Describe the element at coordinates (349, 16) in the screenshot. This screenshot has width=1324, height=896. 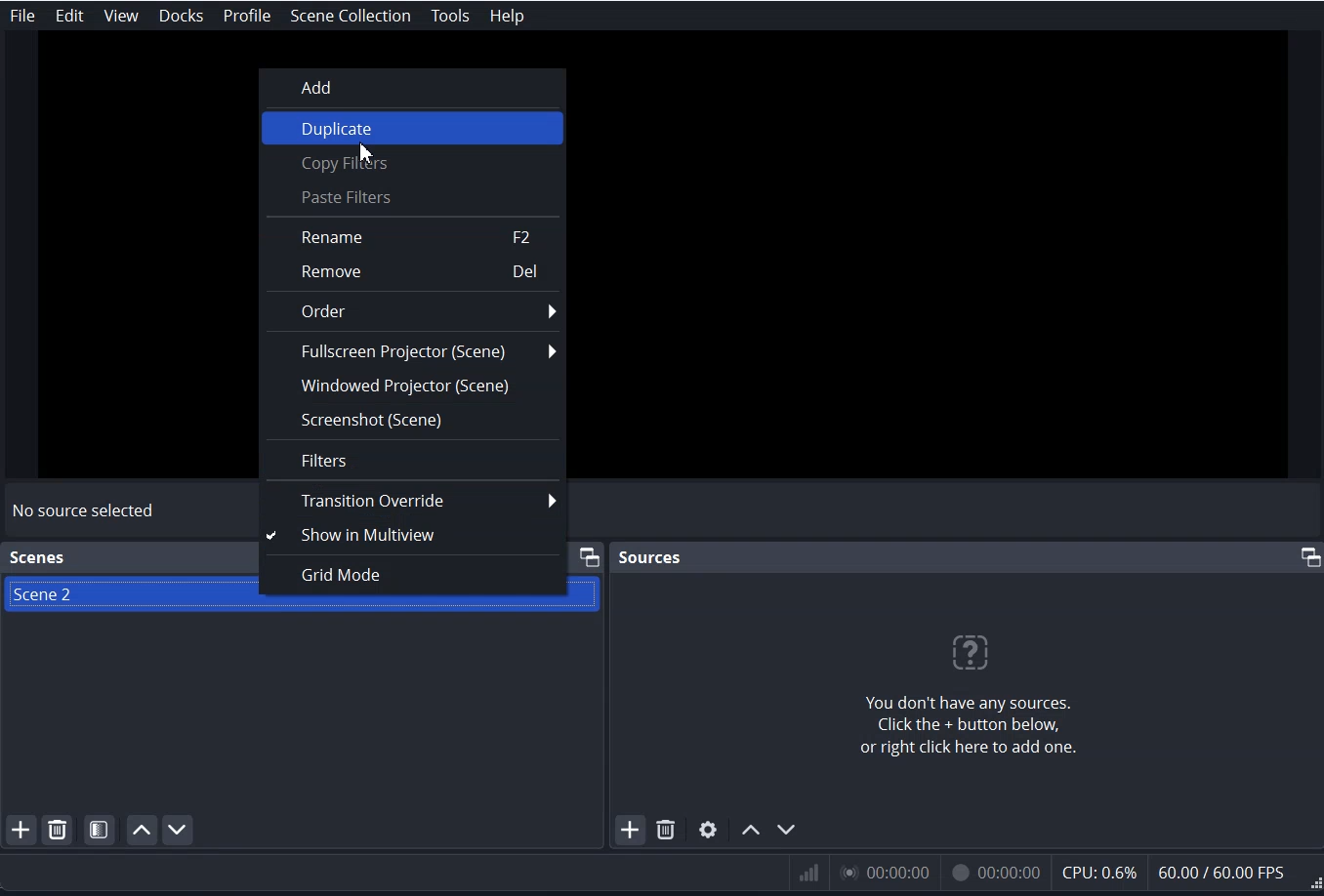
I see `Scene Collection` at that location.